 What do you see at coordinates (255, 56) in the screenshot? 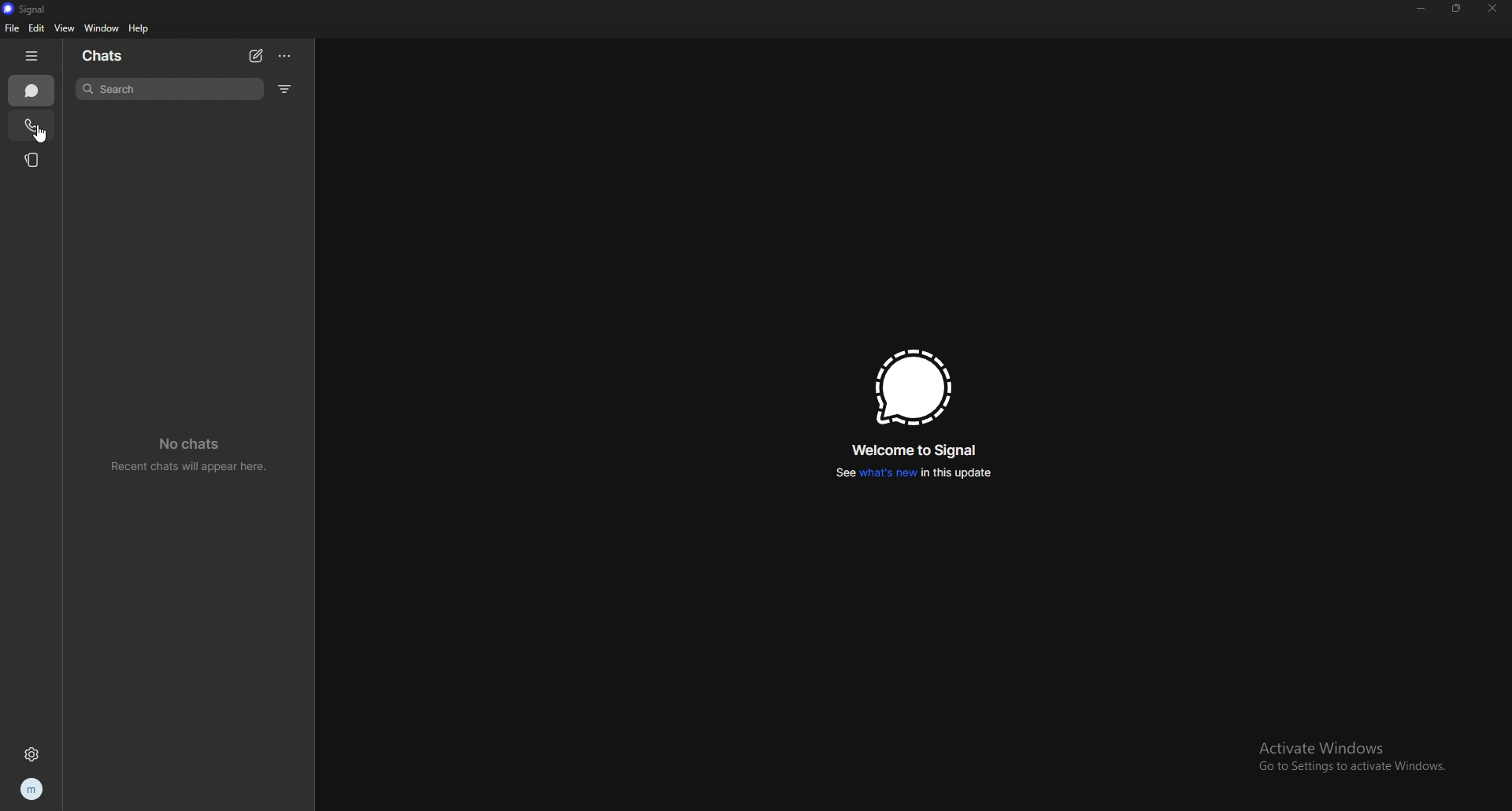
I see `new chat` at bounding box center [255, 56].